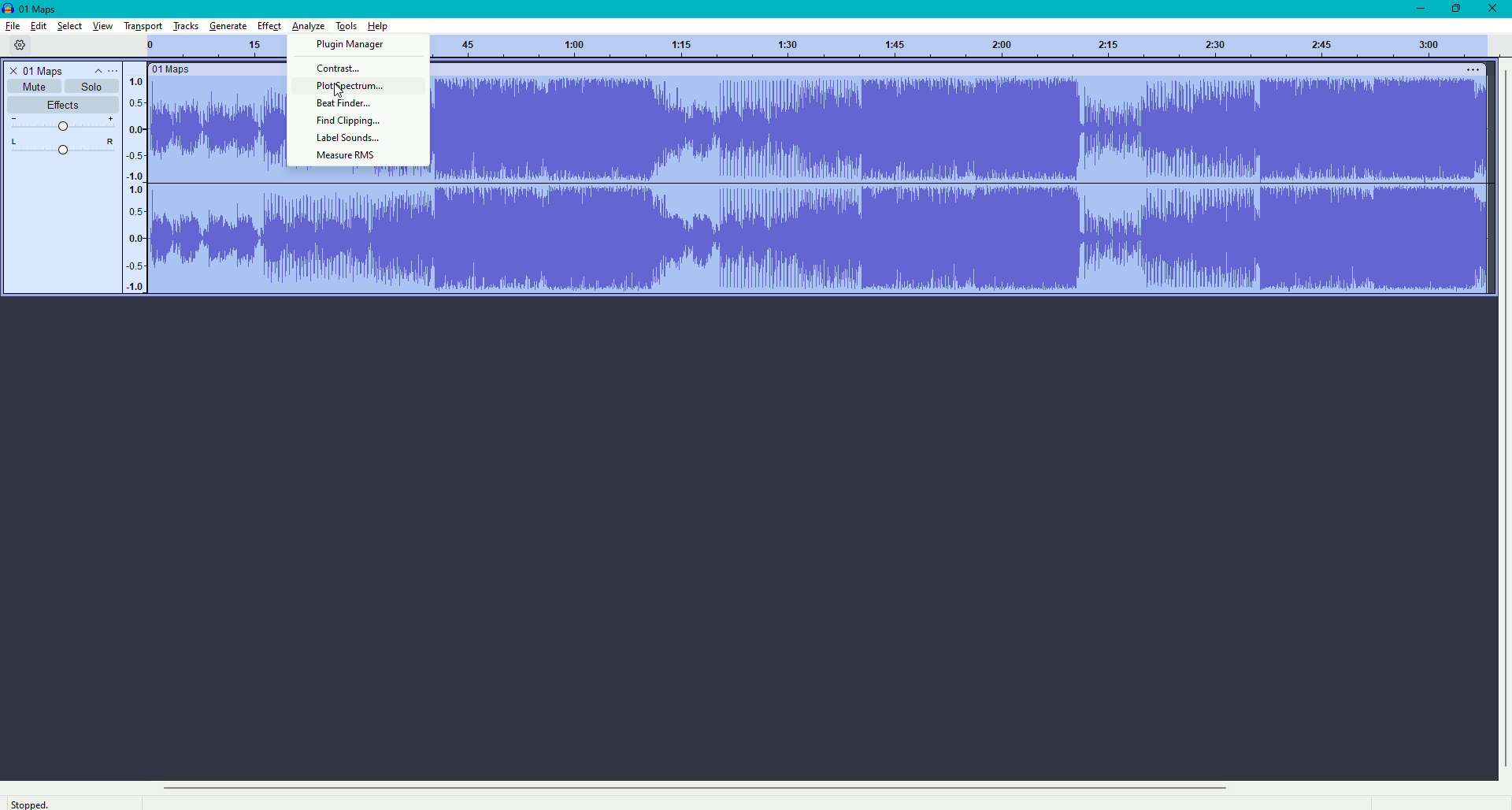  What do you see at coordinates (37, 25) in the screenshot?
I see `Edit` at bounding box center [37, 25].